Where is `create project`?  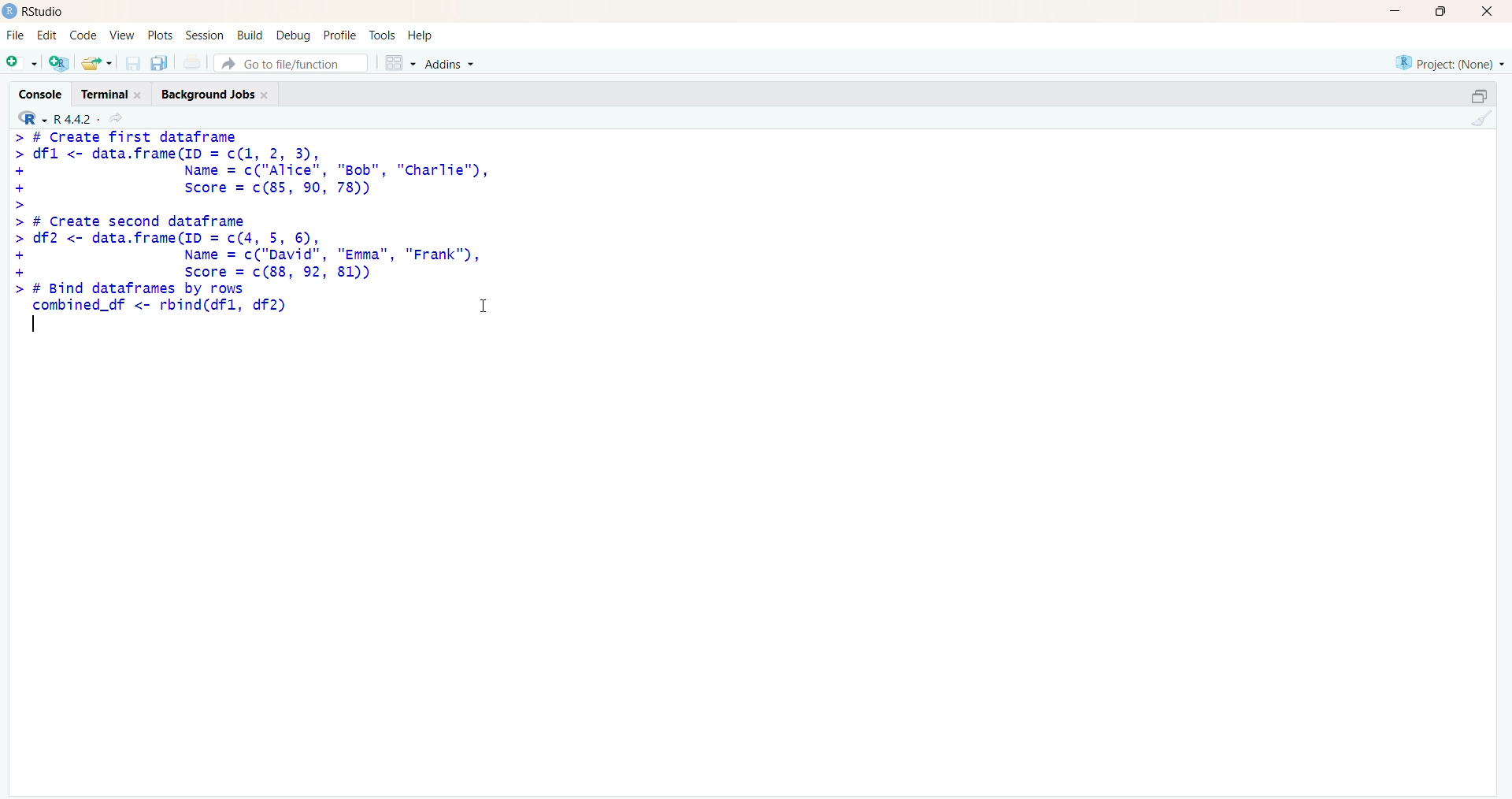
create project is located at coordinates (59, 62).